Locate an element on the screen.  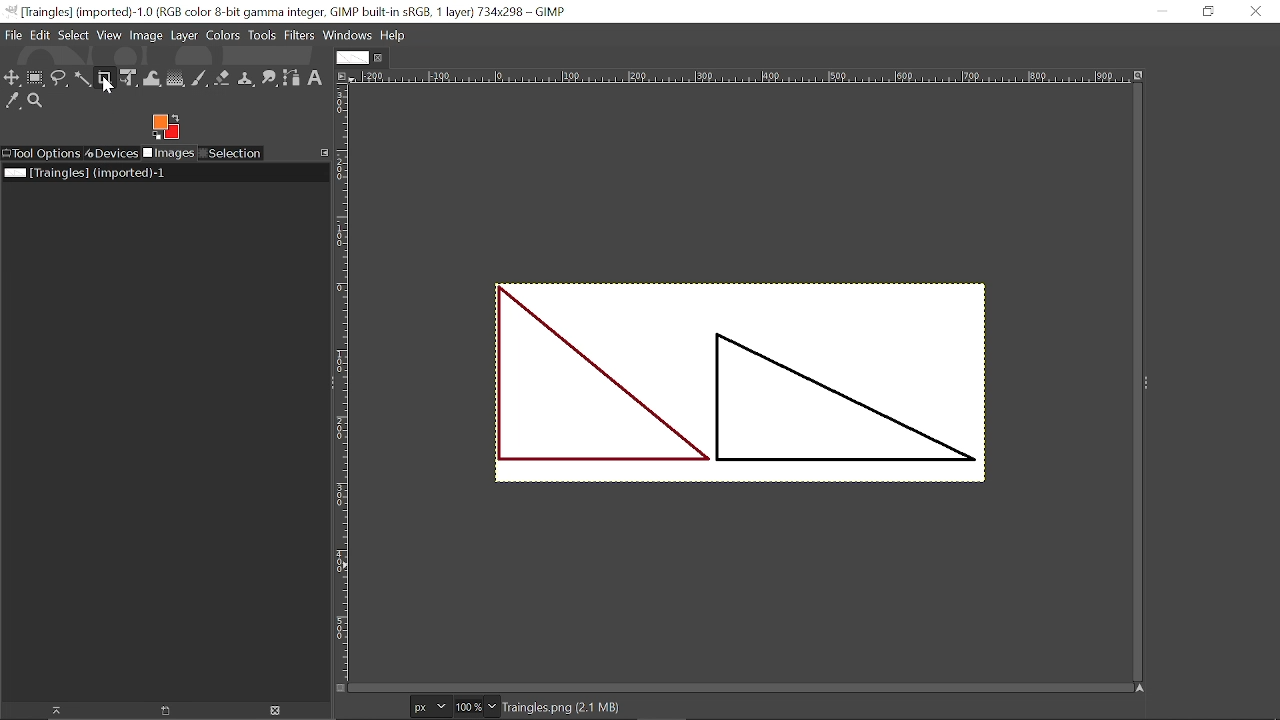
Zoom options is located at coordinates (491, 707).